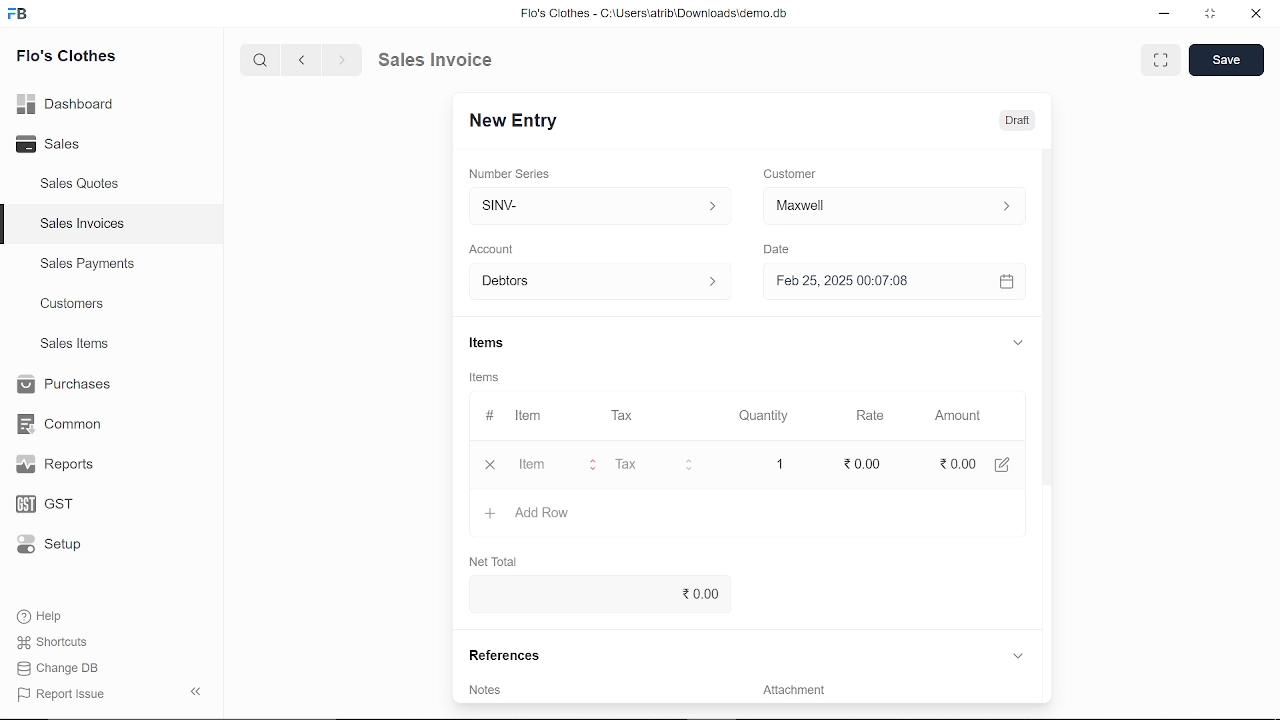 This screenshot has height=720, width=1280. What do you see at coordinates (529, 514) in the screenshot?
I see `+ Add Row` at bounding box center [529, 514].